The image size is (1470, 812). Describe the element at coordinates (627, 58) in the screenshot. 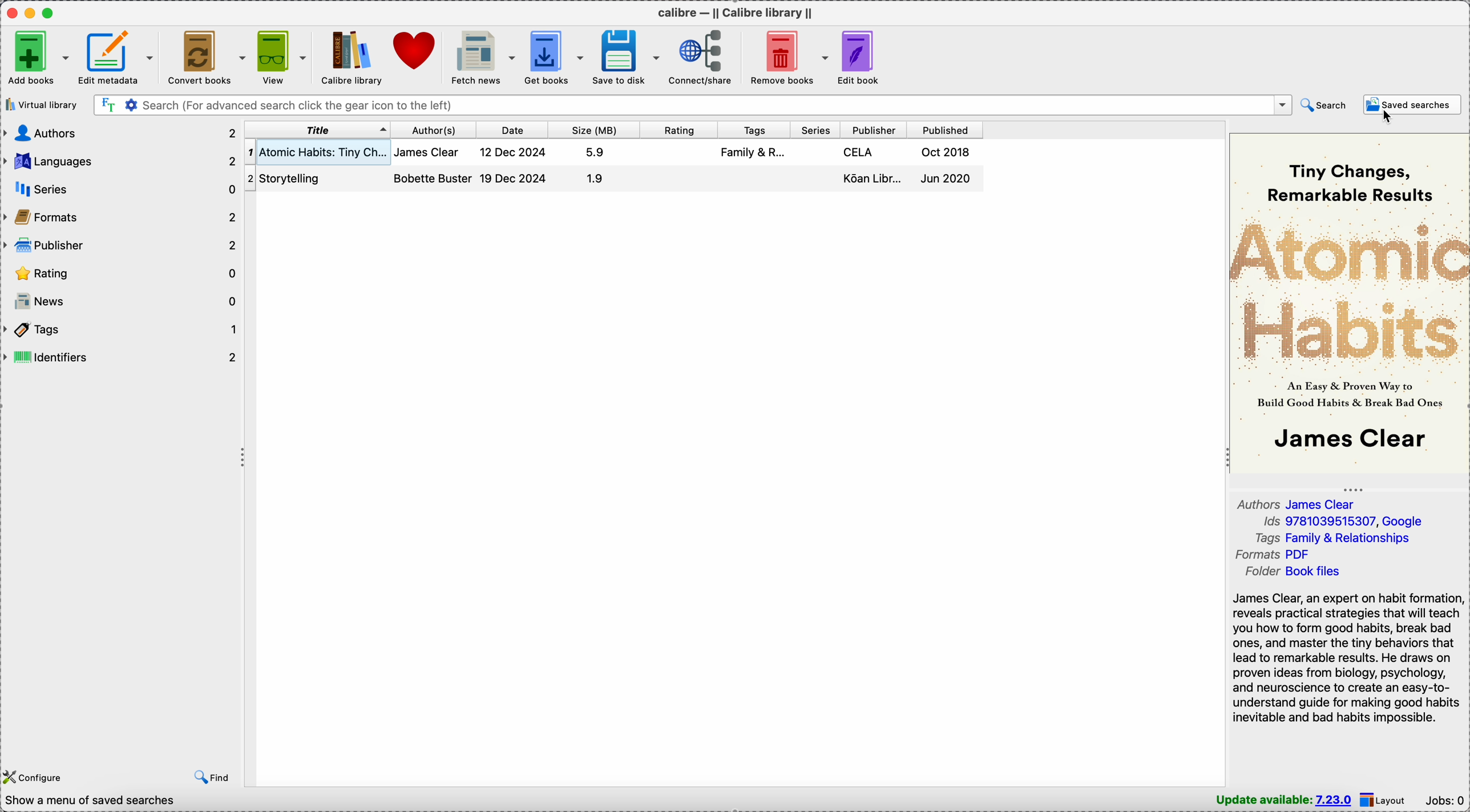

I see `save to disk` at that location.